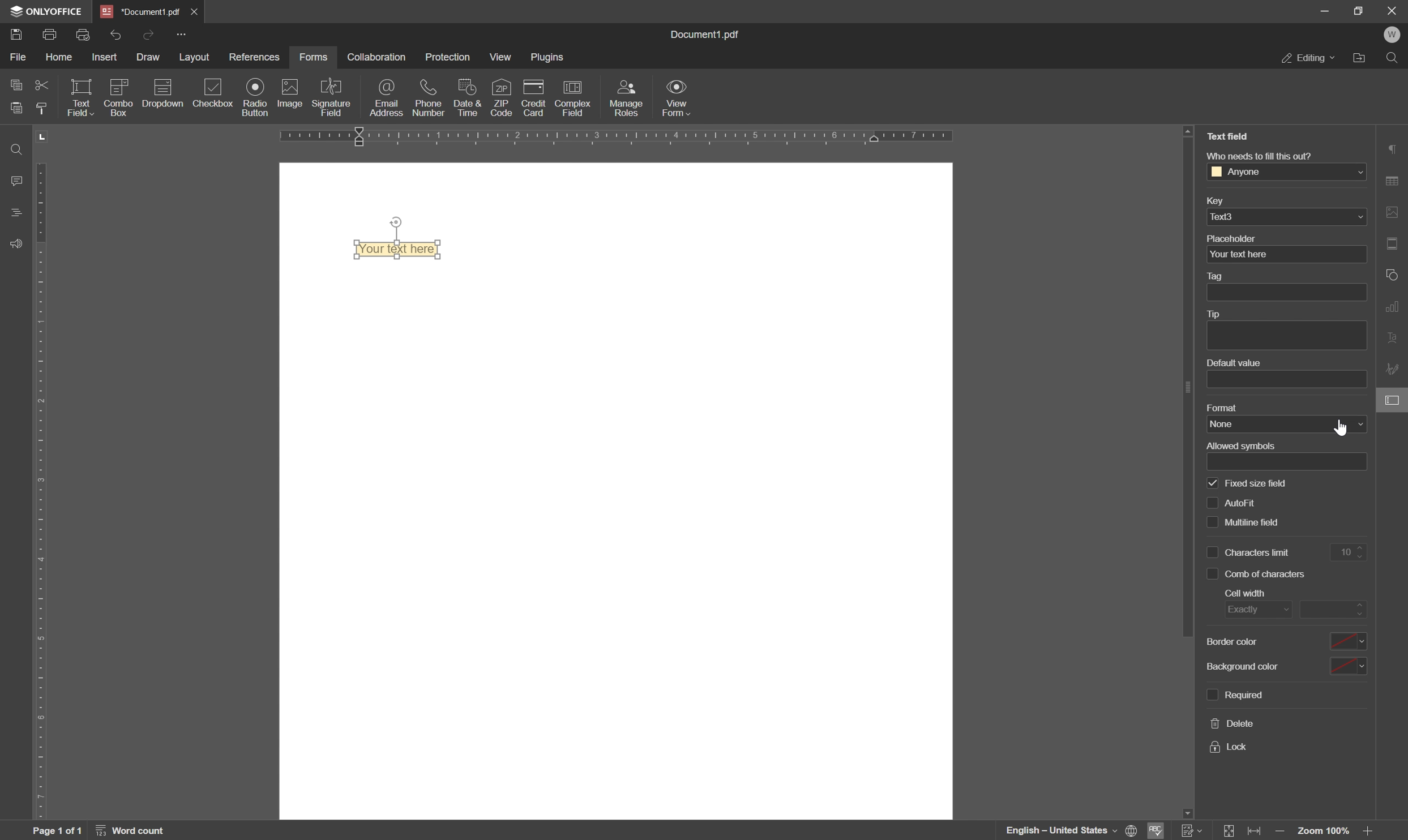 This screenshot has height=840, width=1408. I want to click on tip text box, so click(1282, 336).